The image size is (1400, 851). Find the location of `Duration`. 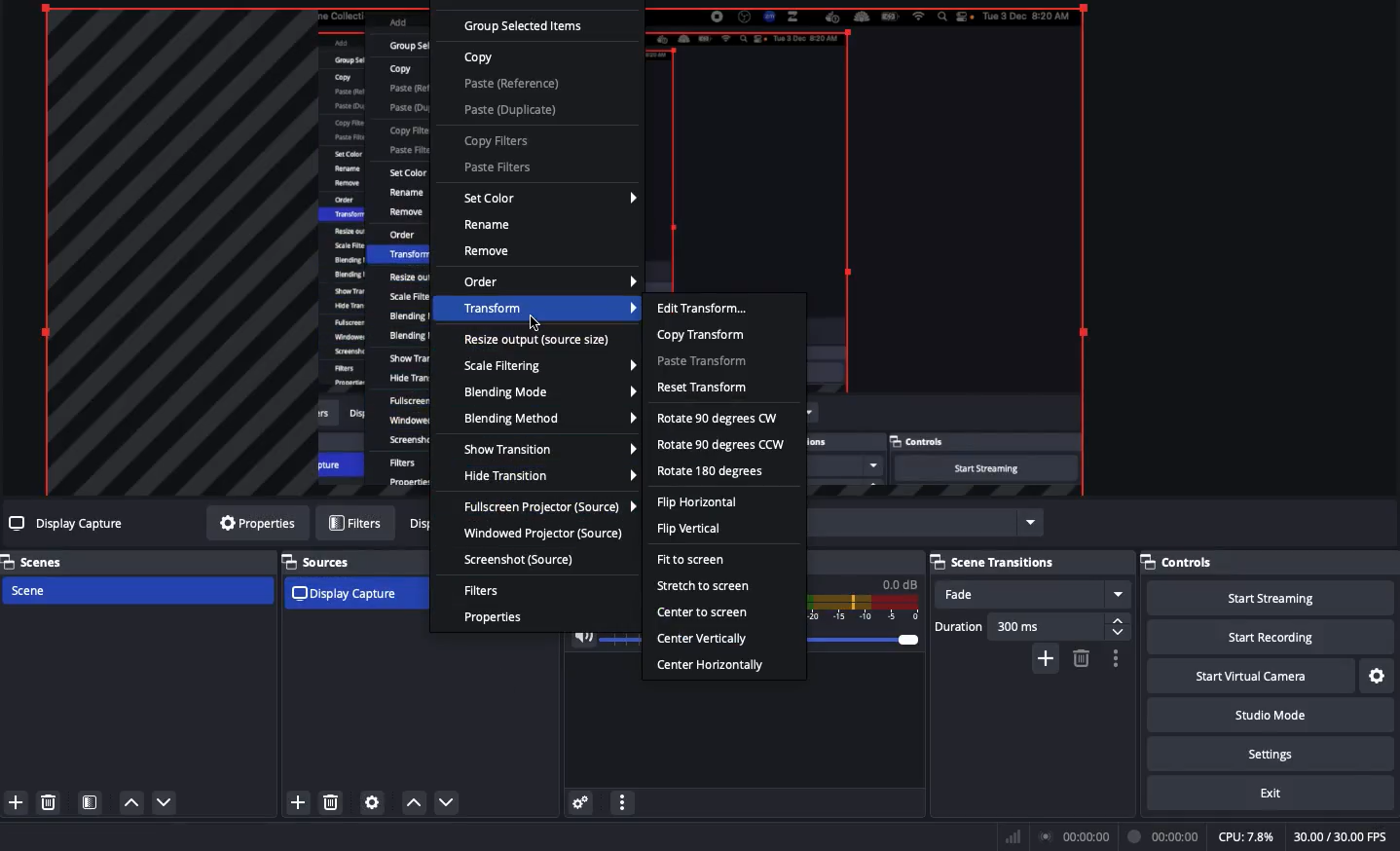

Duration is located at coordinates (1030, 628).